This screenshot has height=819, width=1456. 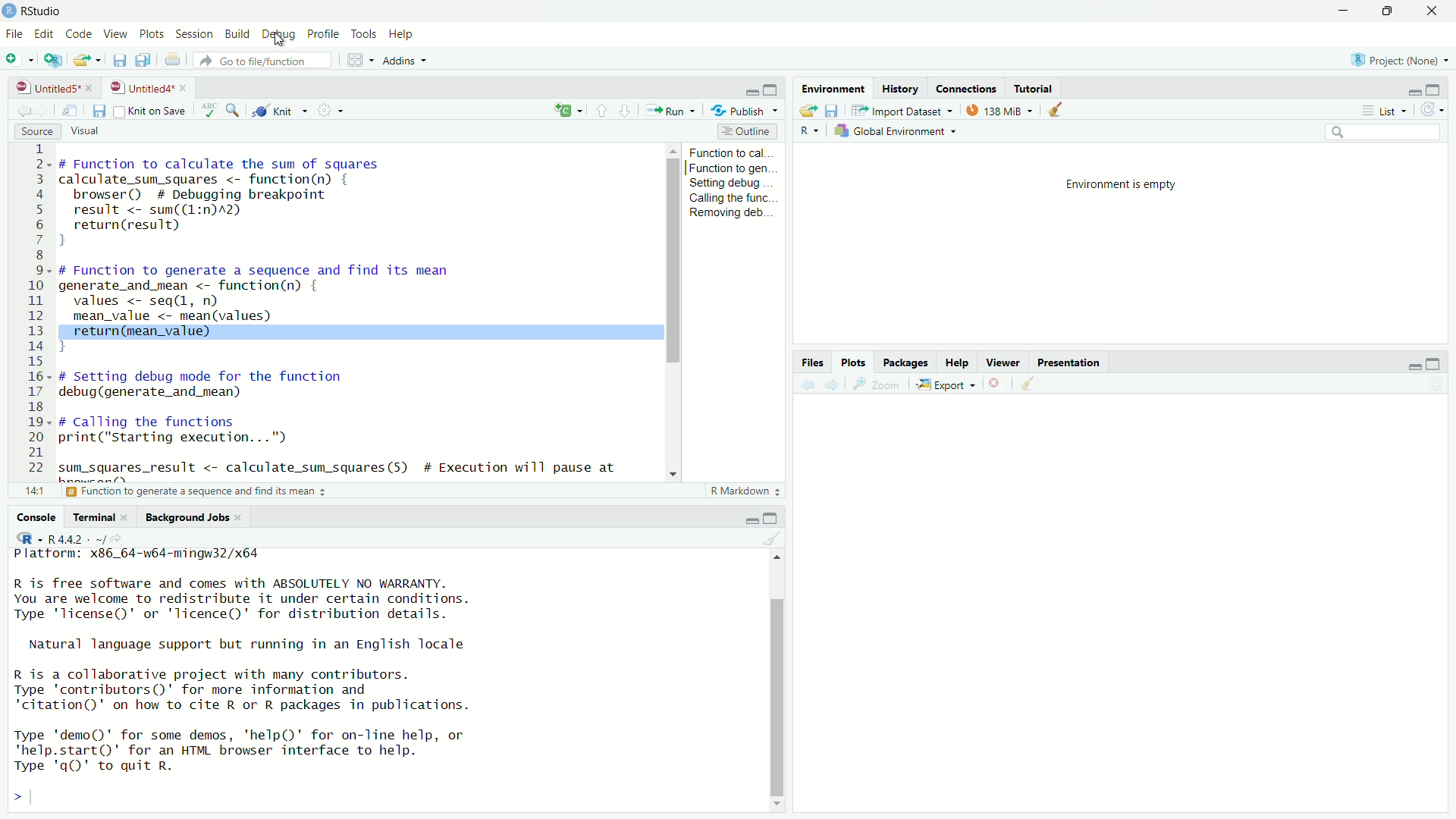 I want to click on language select, so click(x=812, y=133).